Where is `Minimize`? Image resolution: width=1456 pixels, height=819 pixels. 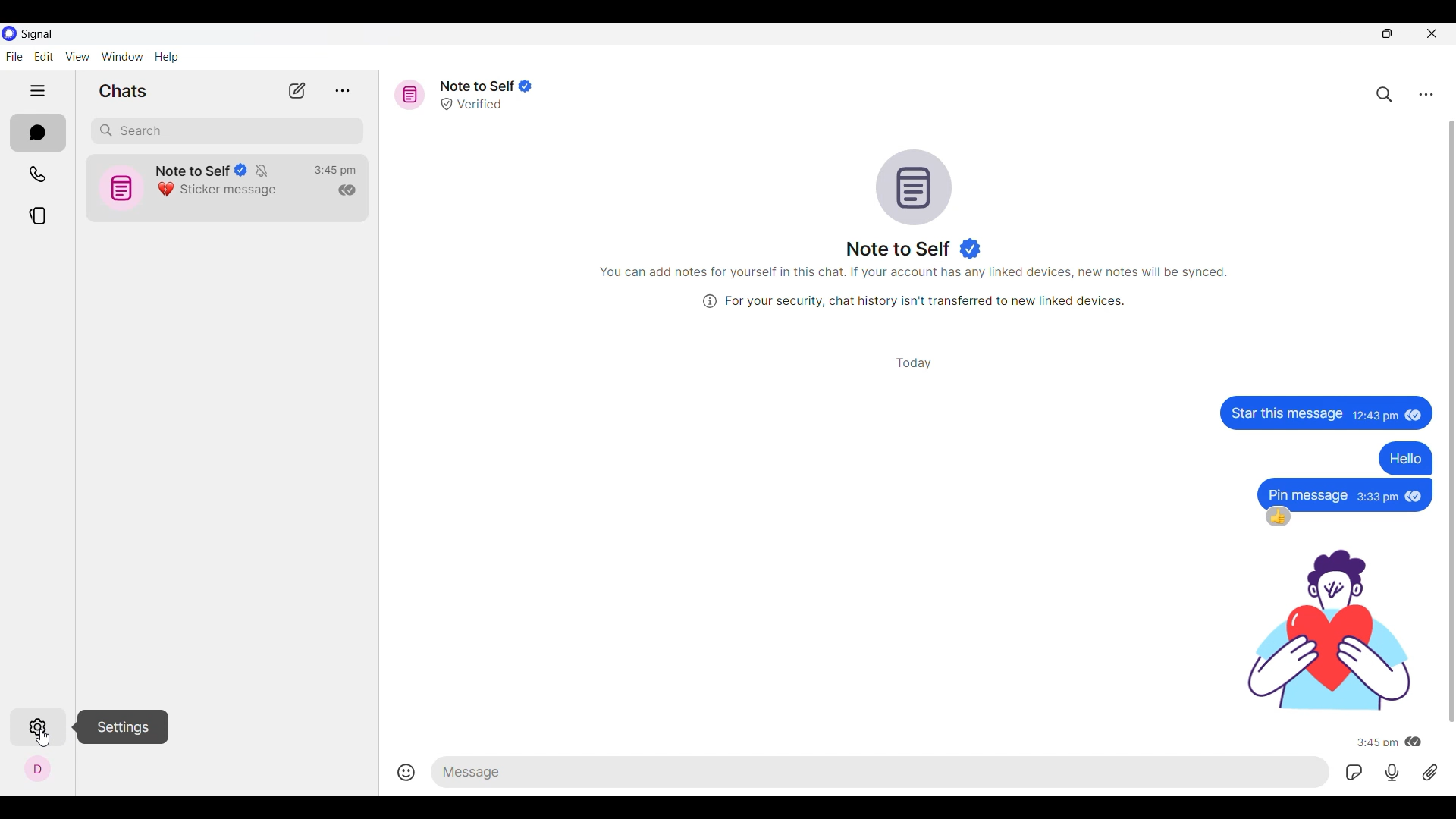
Minimize is located at coordinates (1343, 33).